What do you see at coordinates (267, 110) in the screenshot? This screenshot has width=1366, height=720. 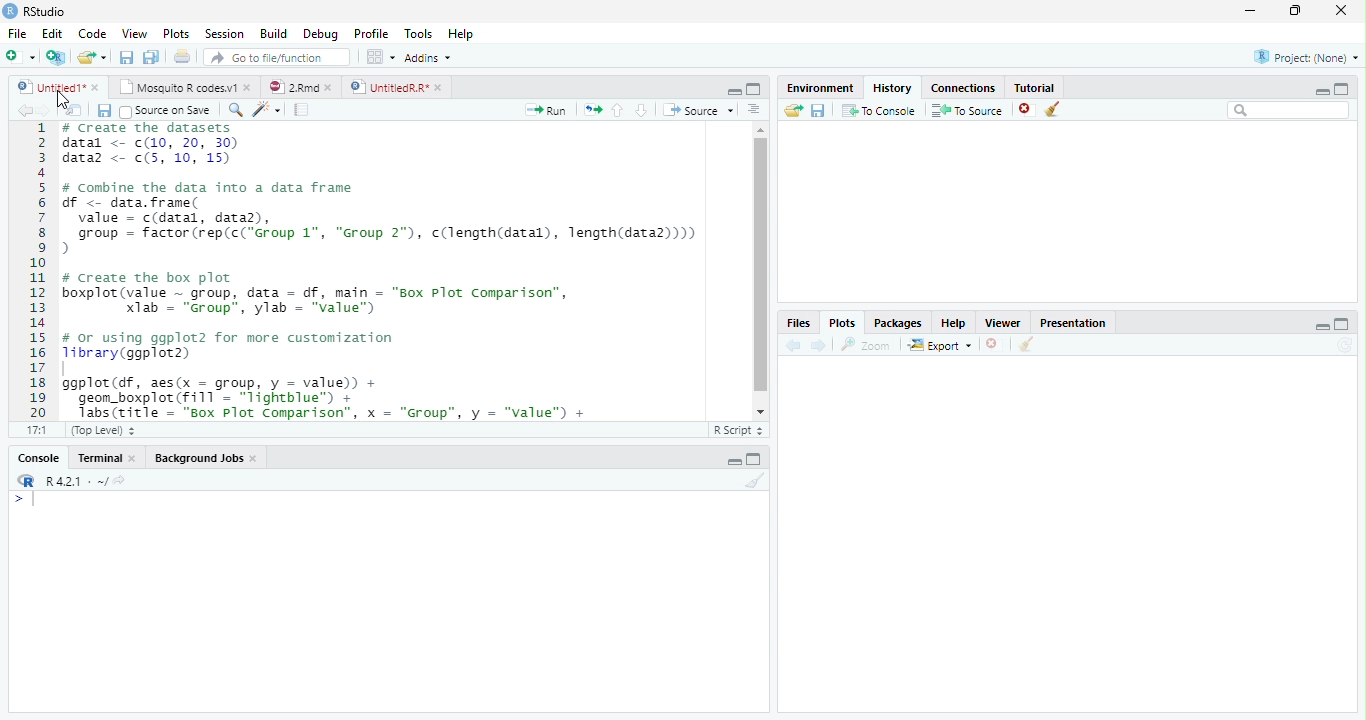 I see `Code tools` at bounding box center [267, 110].